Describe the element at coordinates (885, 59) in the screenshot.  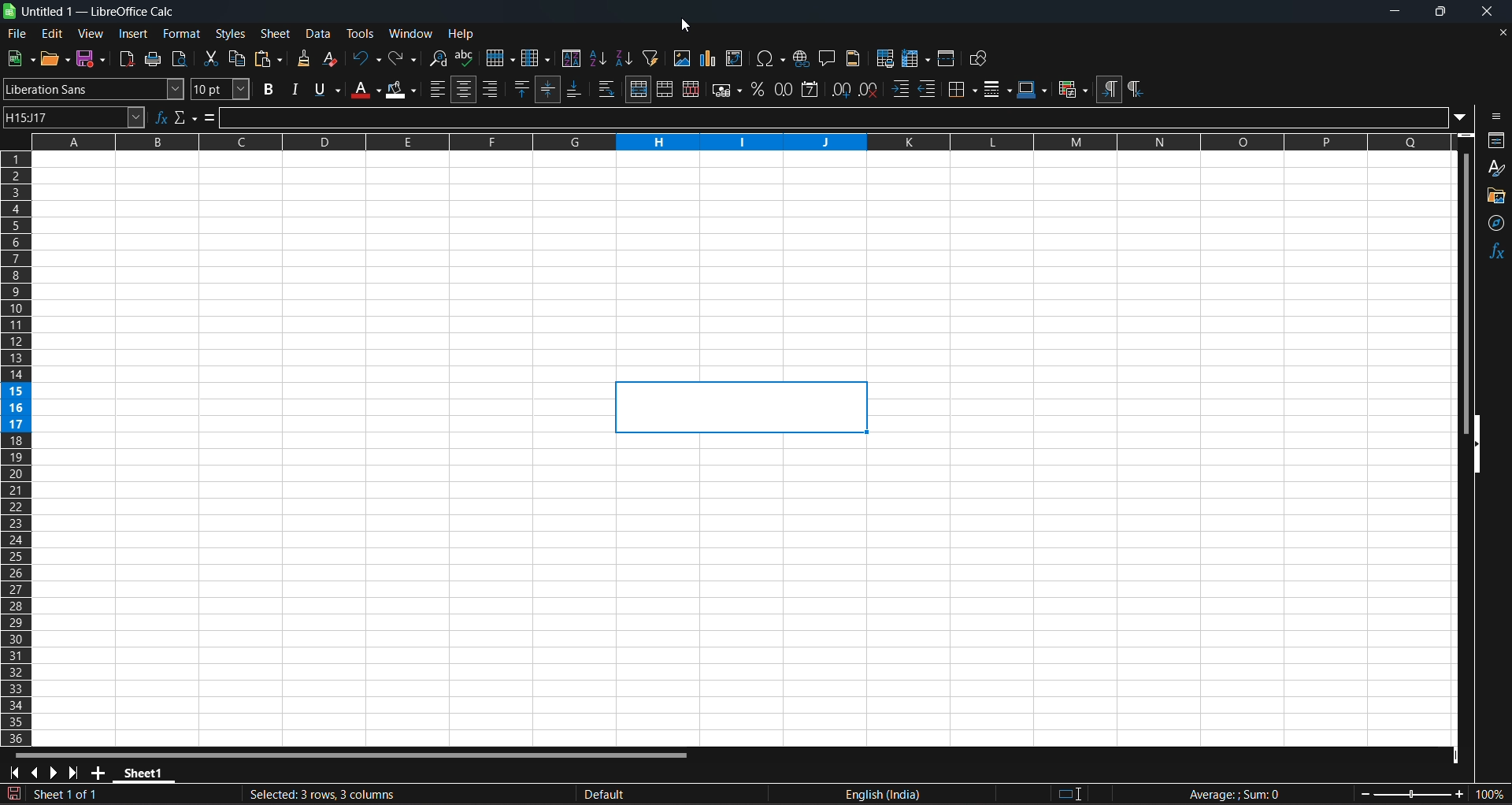
I see `define print area` at that location.